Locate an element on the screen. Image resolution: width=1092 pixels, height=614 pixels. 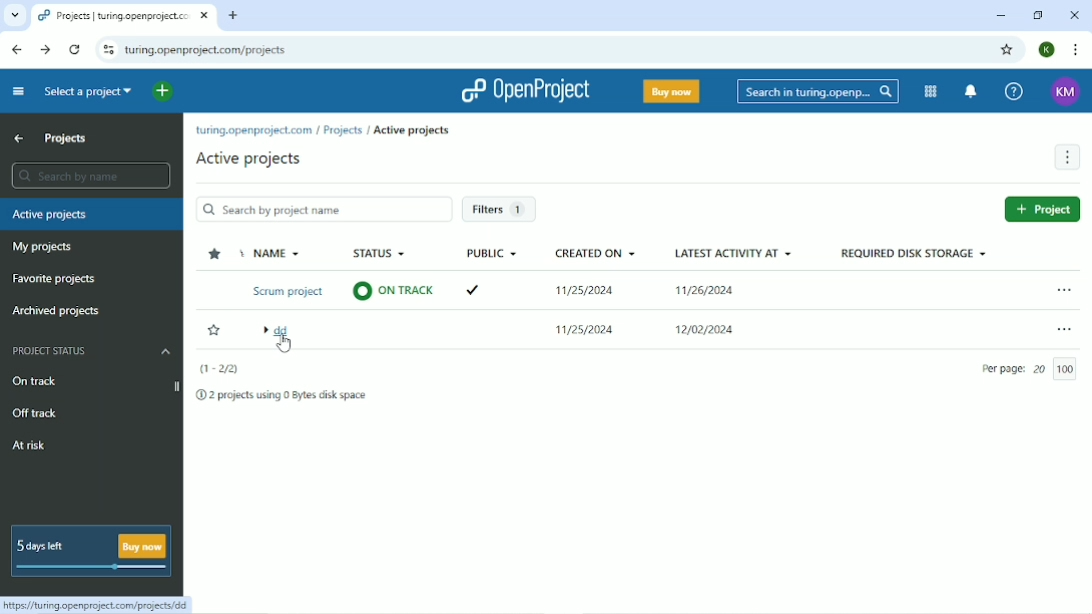
(1-2/2) is located at coordinates (216, 369).